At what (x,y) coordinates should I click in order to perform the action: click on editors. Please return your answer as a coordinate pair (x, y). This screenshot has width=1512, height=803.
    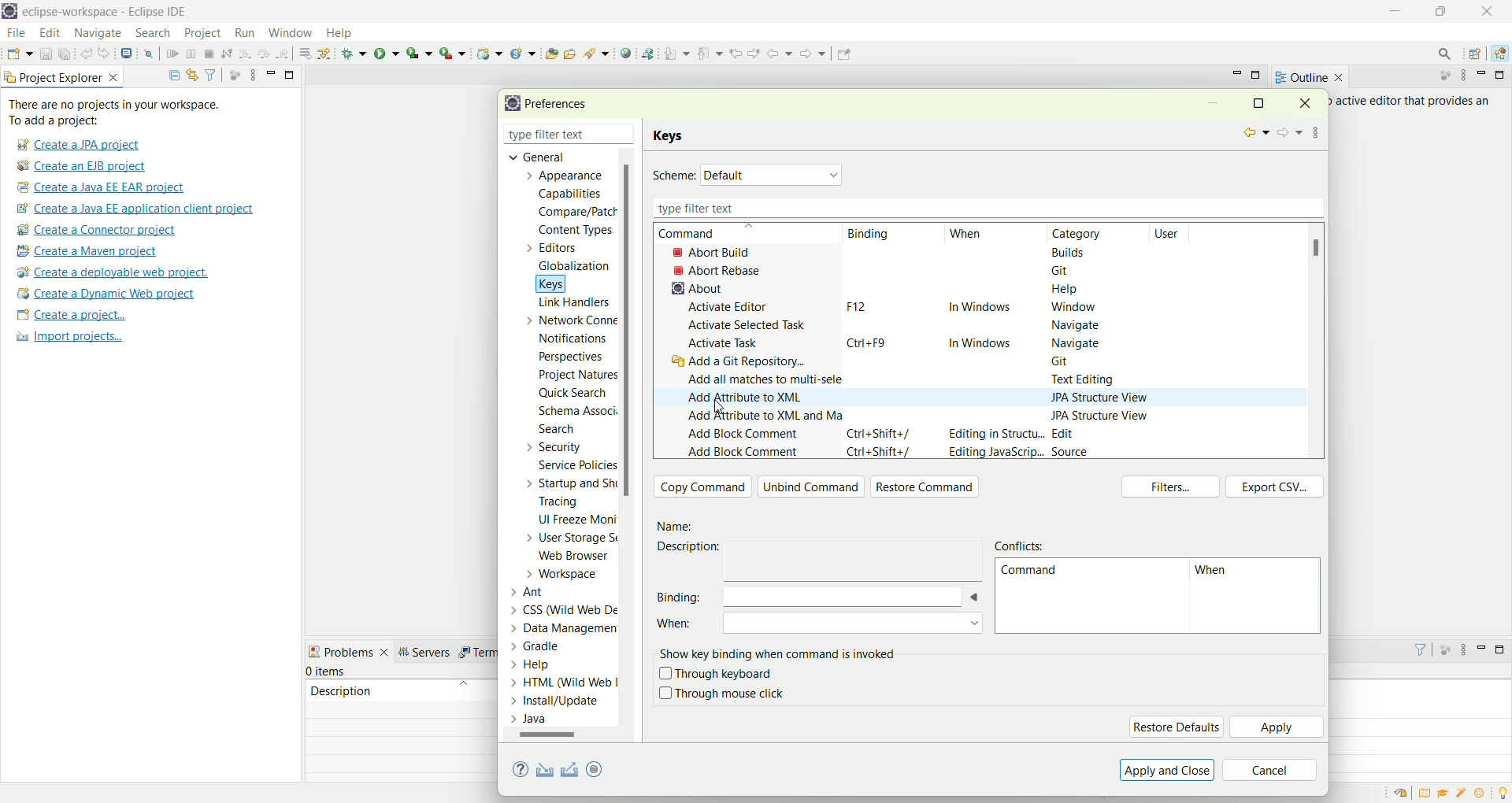
    Looking at the image, I should click on (561, 247).